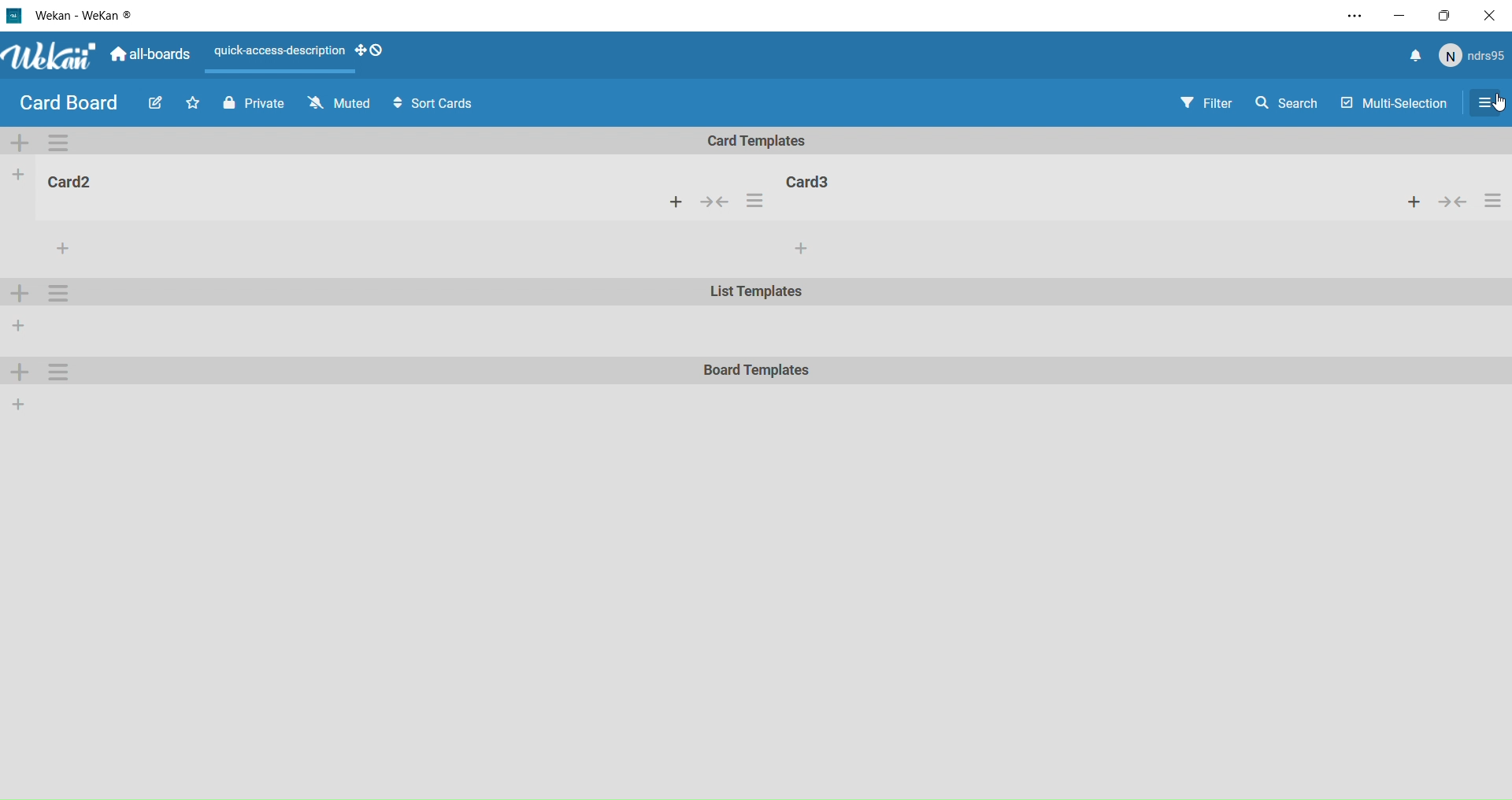  Describe the element at coordinates (1501, 104) in the screenshot. I see `cursor` at that location.